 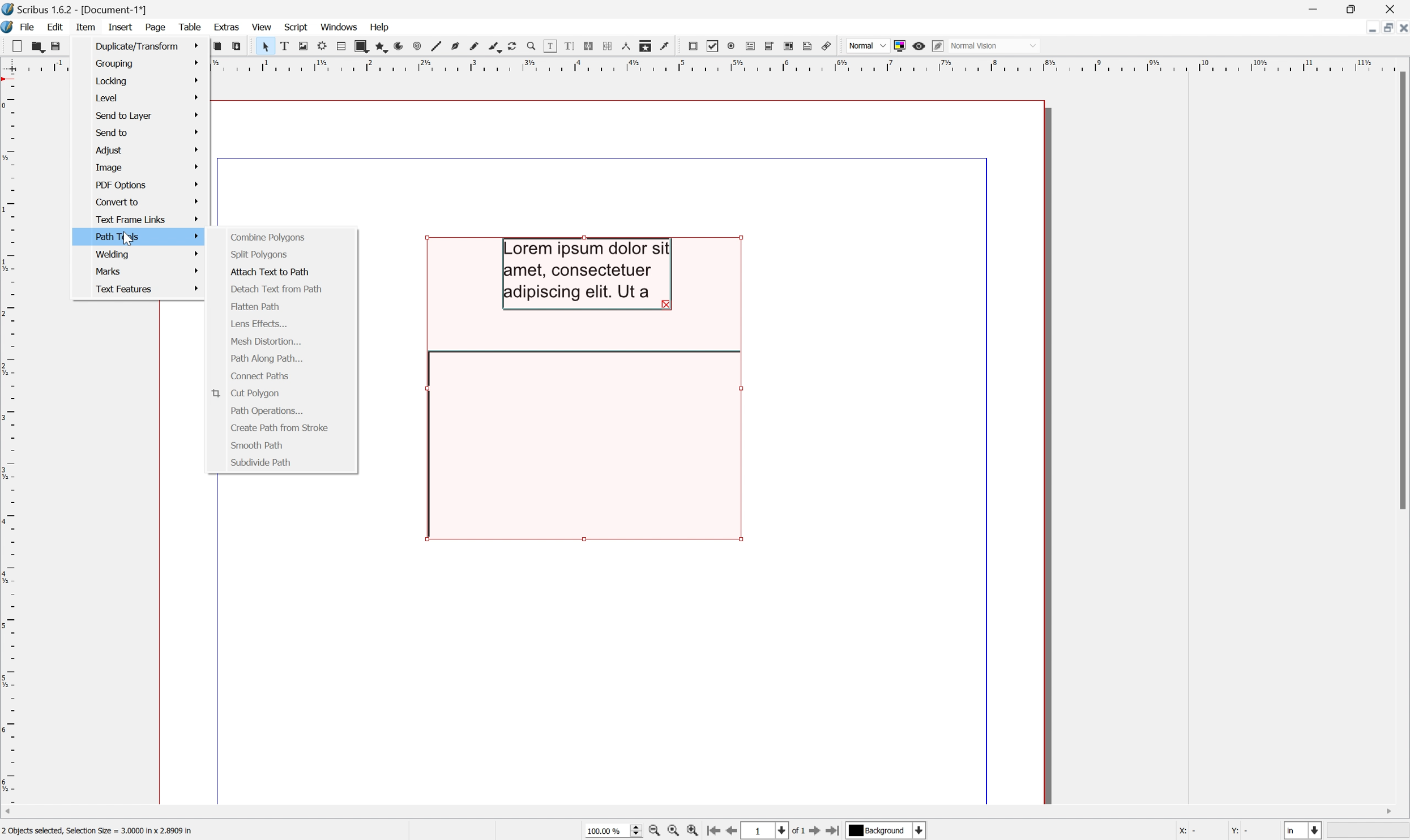 What do you see at coordinates (267, 412) in the screenshot?
I see `Path operations` at bounding box center [267, 412].